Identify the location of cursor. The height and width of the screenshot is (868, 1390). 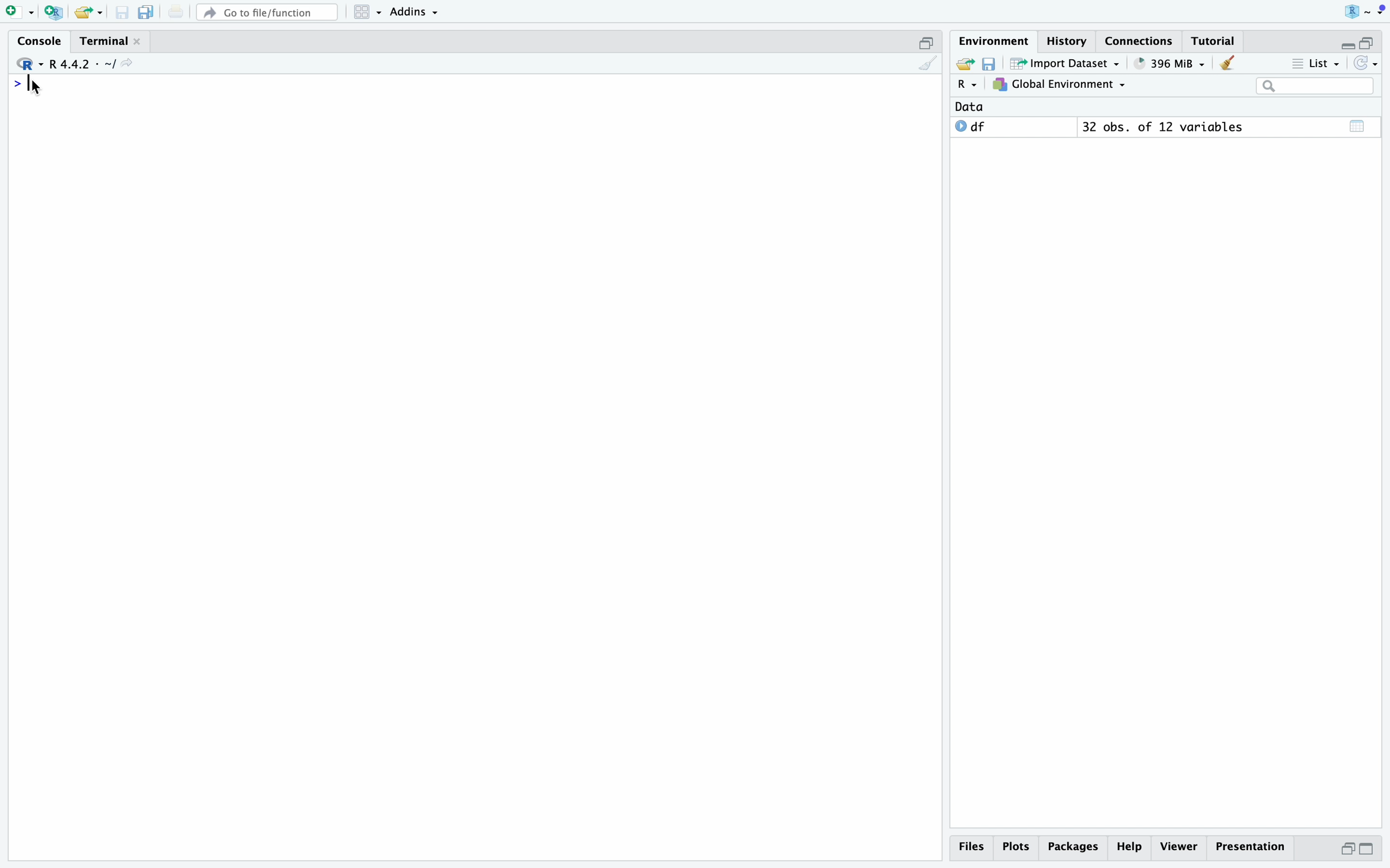
(35, 87).